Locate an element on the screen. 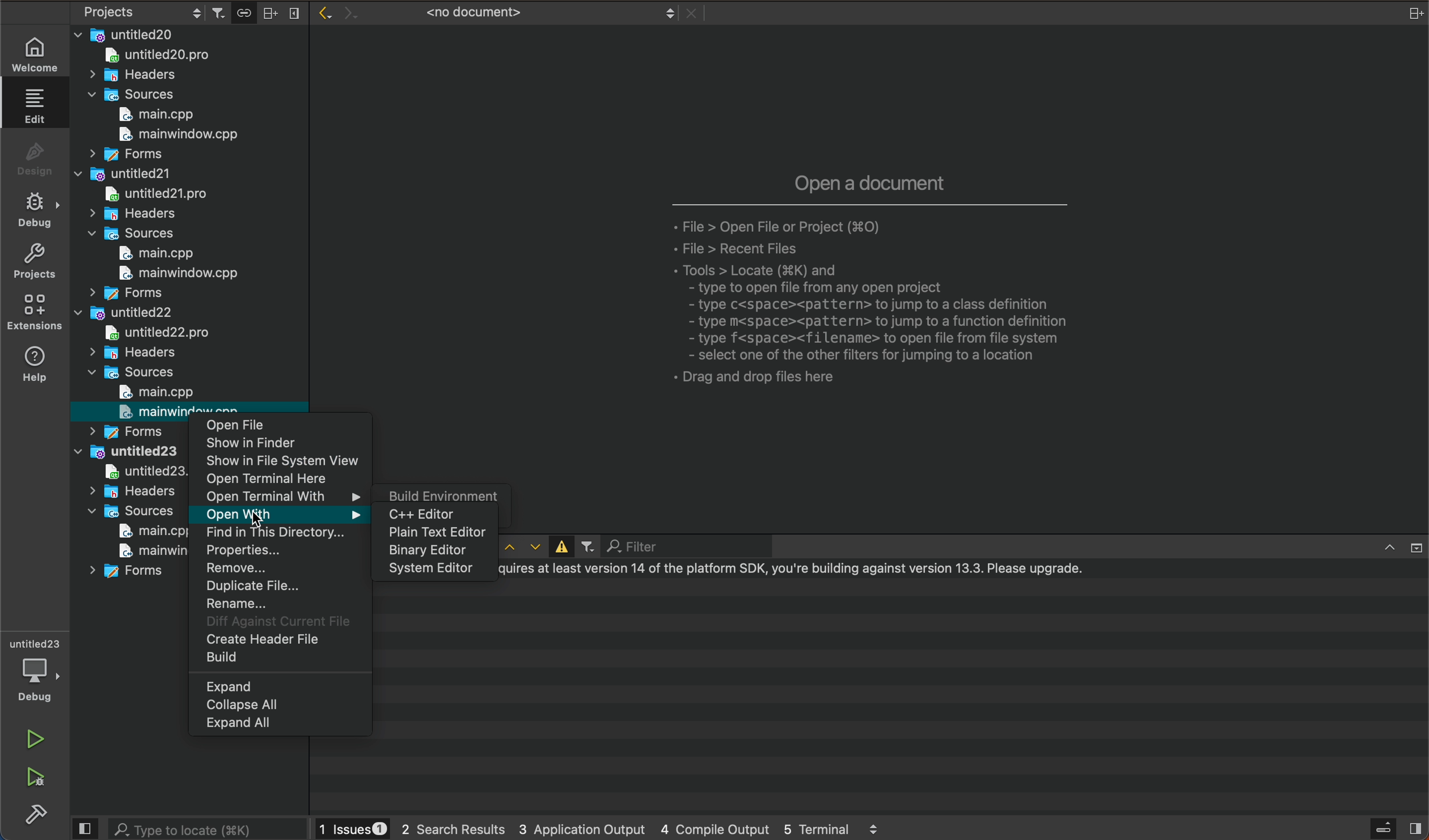 The height and width of the screenshot is (840, 1429). untitled23 is located at coordinates (126, 452).